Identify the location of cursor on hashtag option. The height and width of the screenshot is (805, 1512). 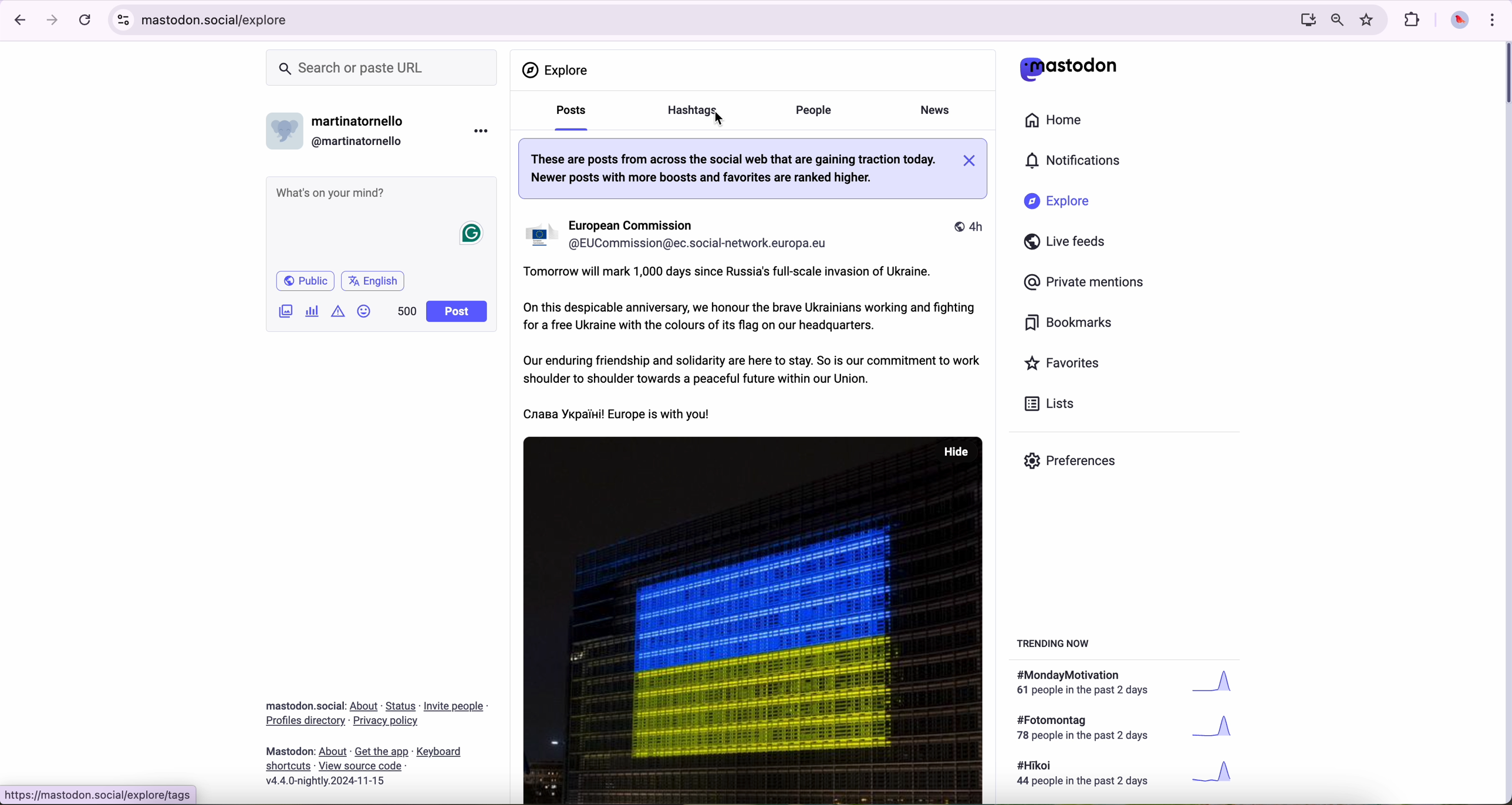
(689, 114).